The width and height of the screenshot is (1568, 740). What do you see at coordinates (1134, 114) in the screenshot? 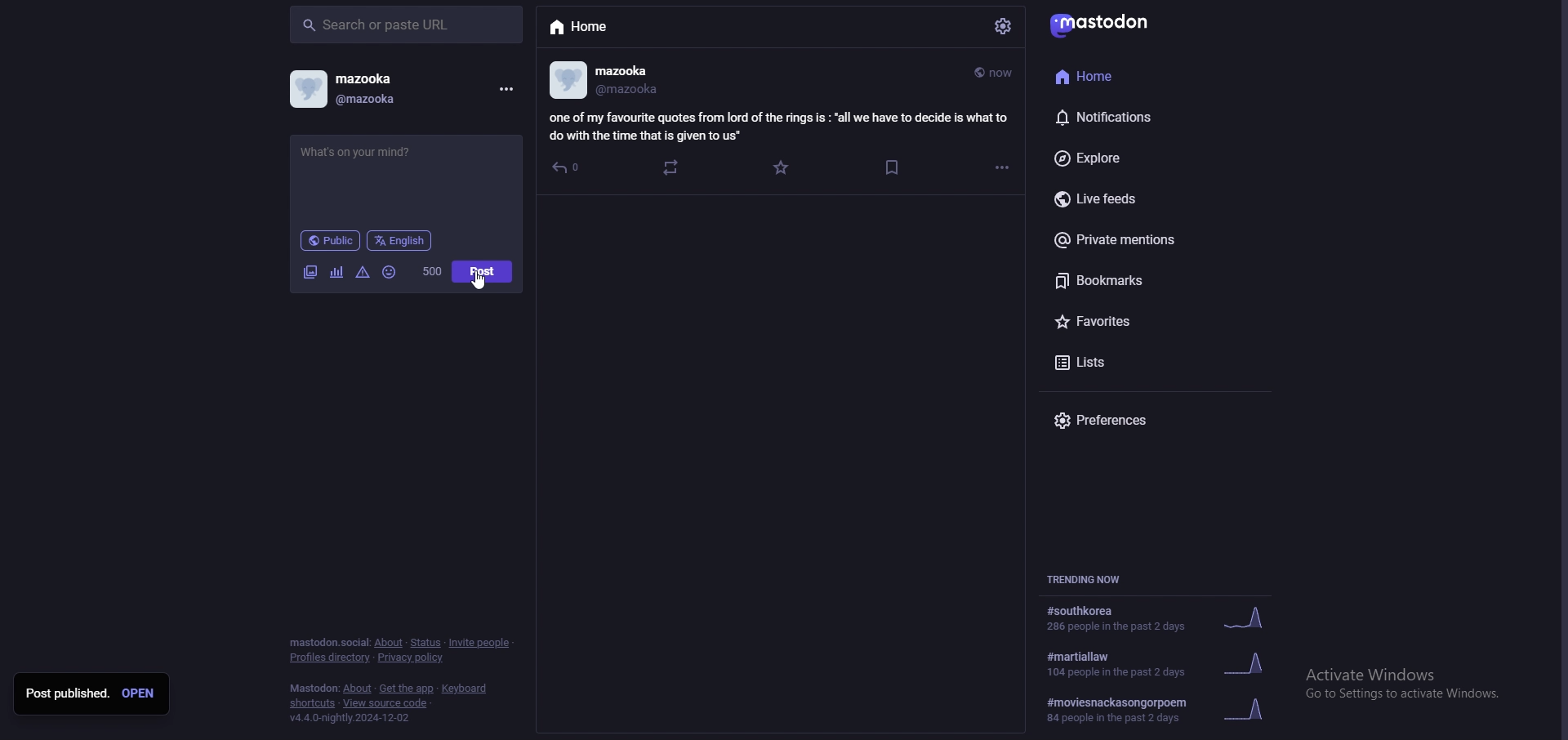
I see `notifications` at bounding box center [1134, 114].